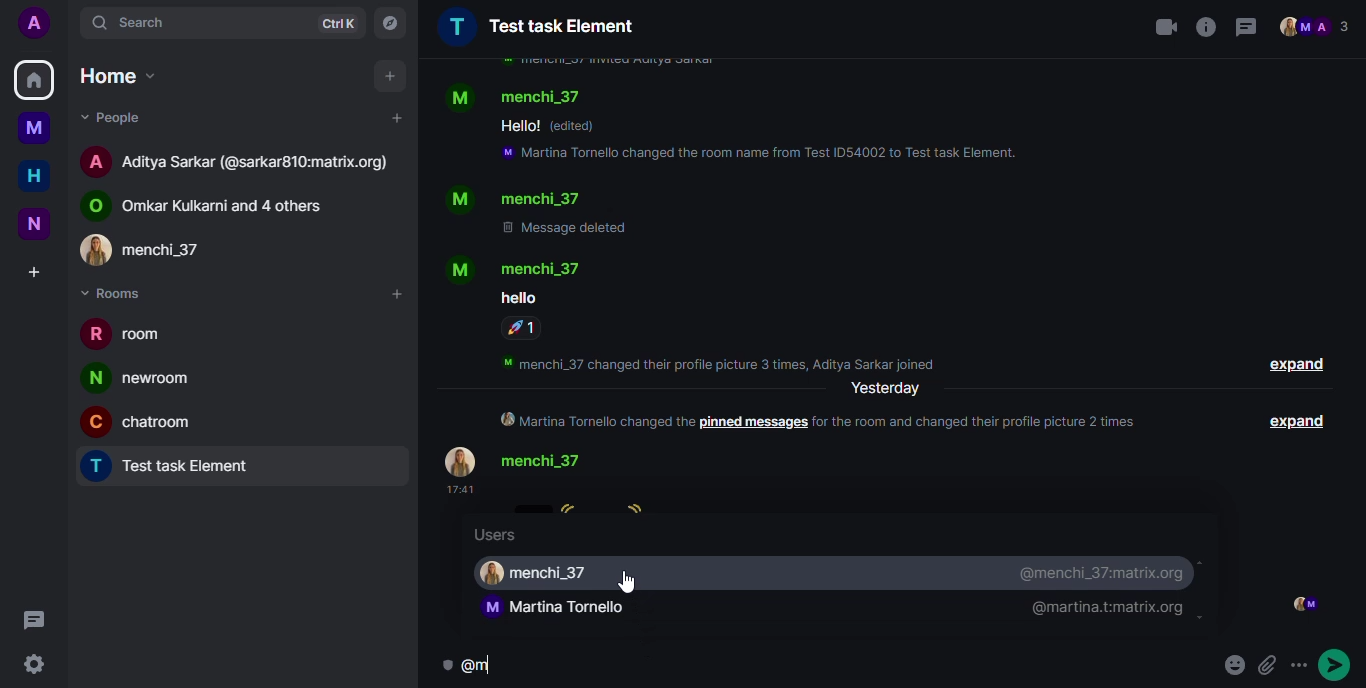  Describe the element at coordinates (753, 423) in the screenshot. I see `pinned message` at that location.